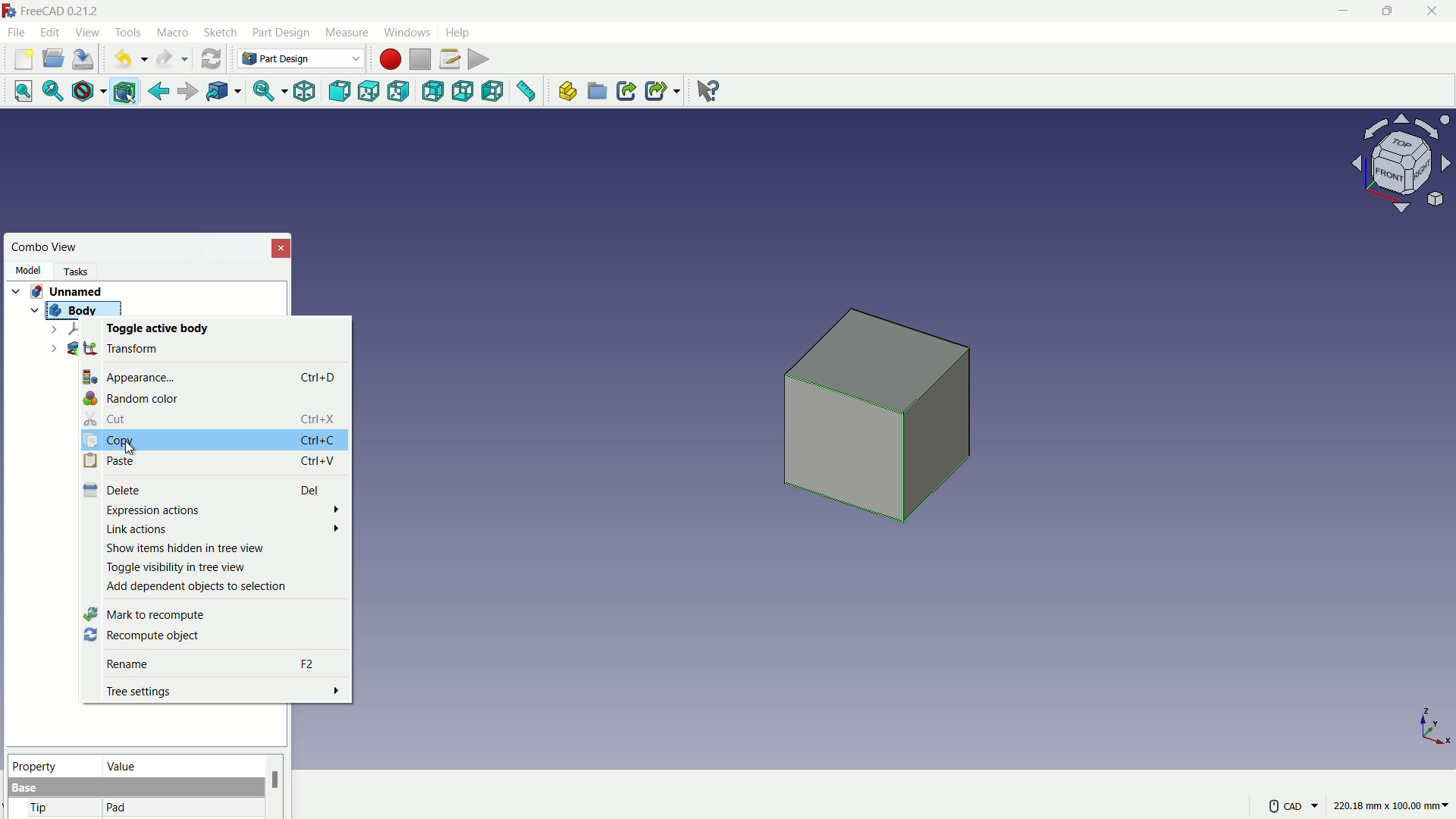 The image size is (1456, 819). What do you see at coordinates (80, 270) in the screenshot?
I see `task` at bounding box center [80, 270].